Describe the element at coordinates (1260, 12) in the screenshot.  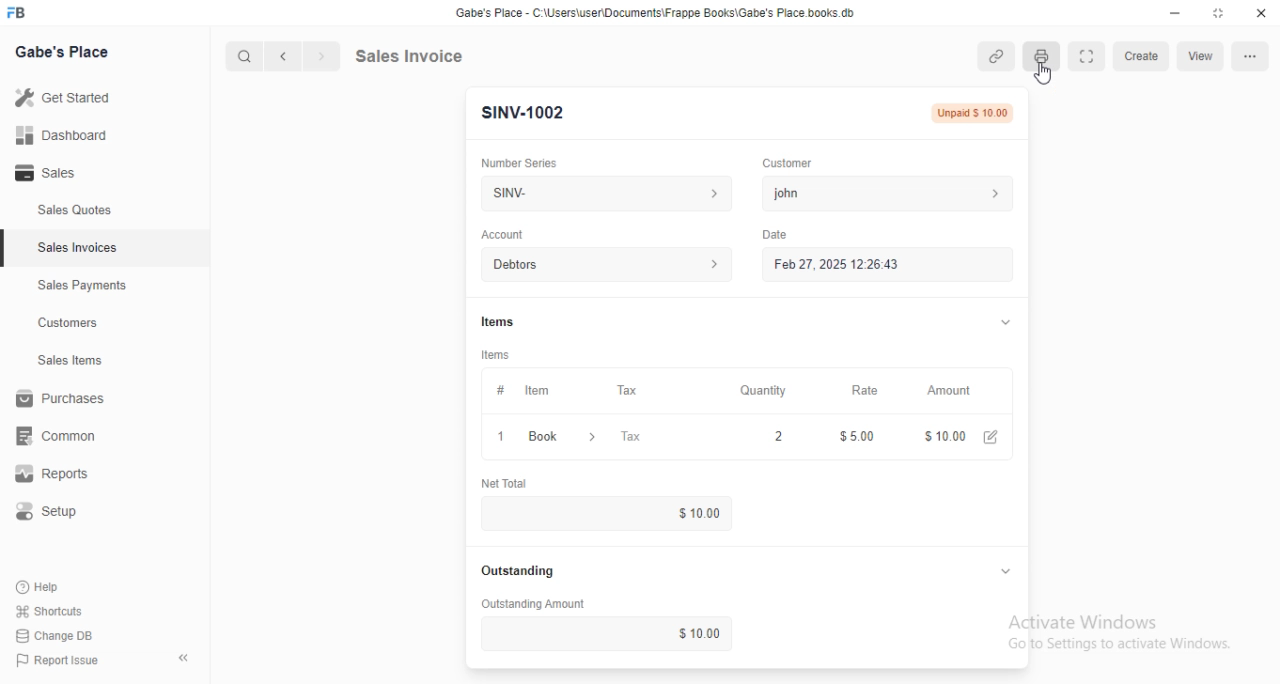
I see `close` at that location.